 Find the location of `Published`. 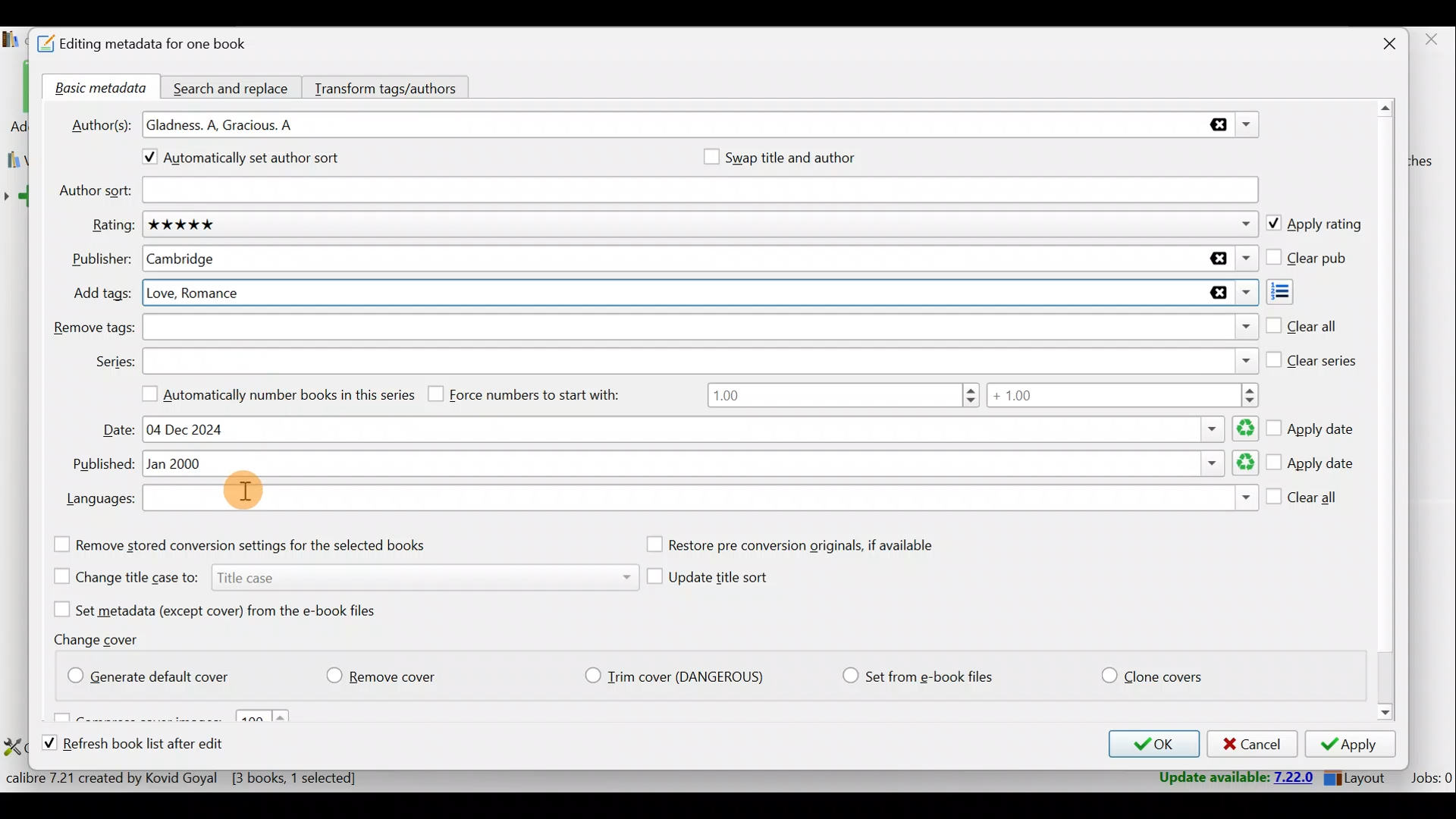

Published is located at coordinates (701, 465).